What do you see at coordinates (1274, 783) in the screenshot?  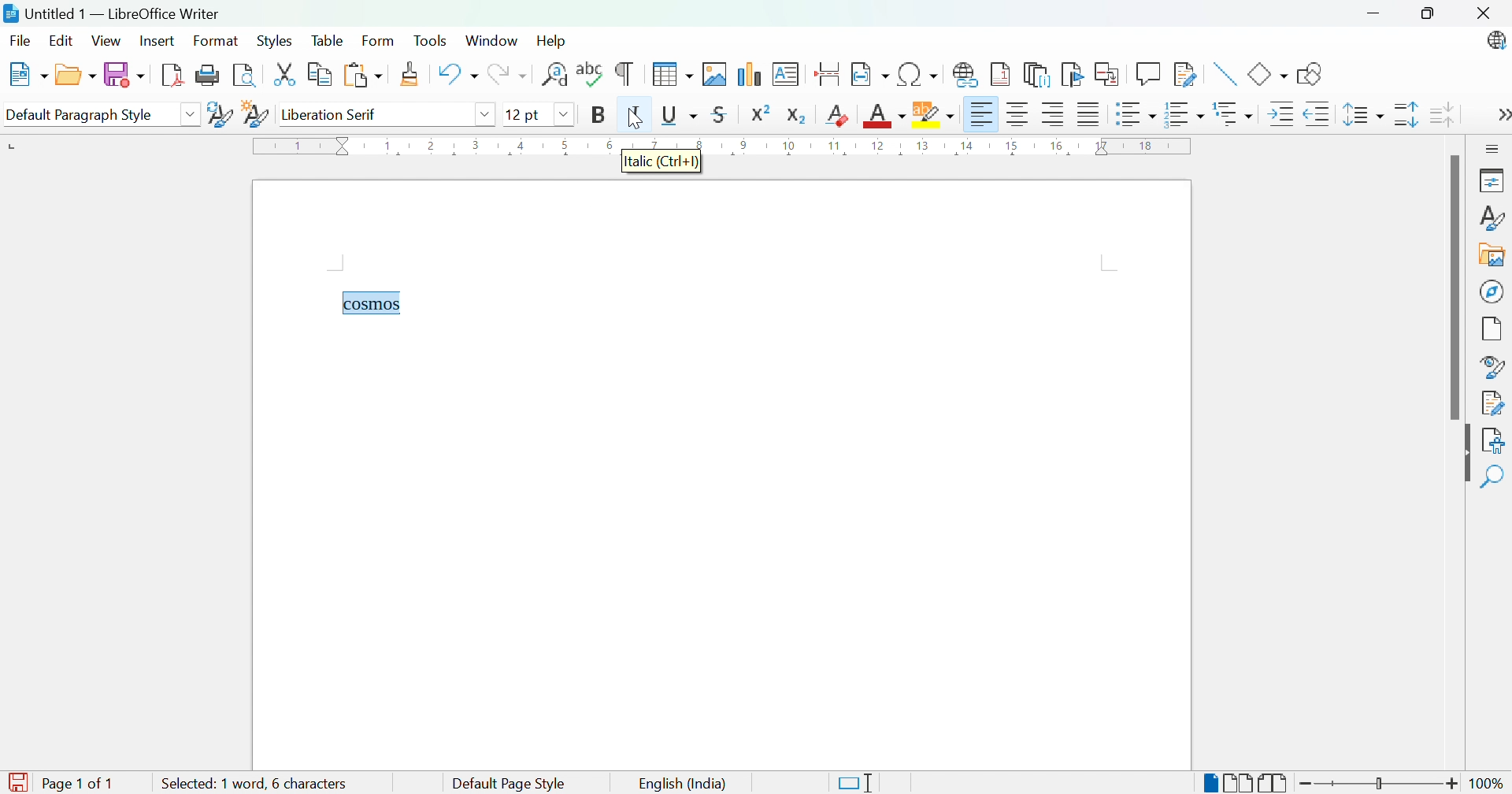 I see `Book view` at bounding box center [1274, 783].